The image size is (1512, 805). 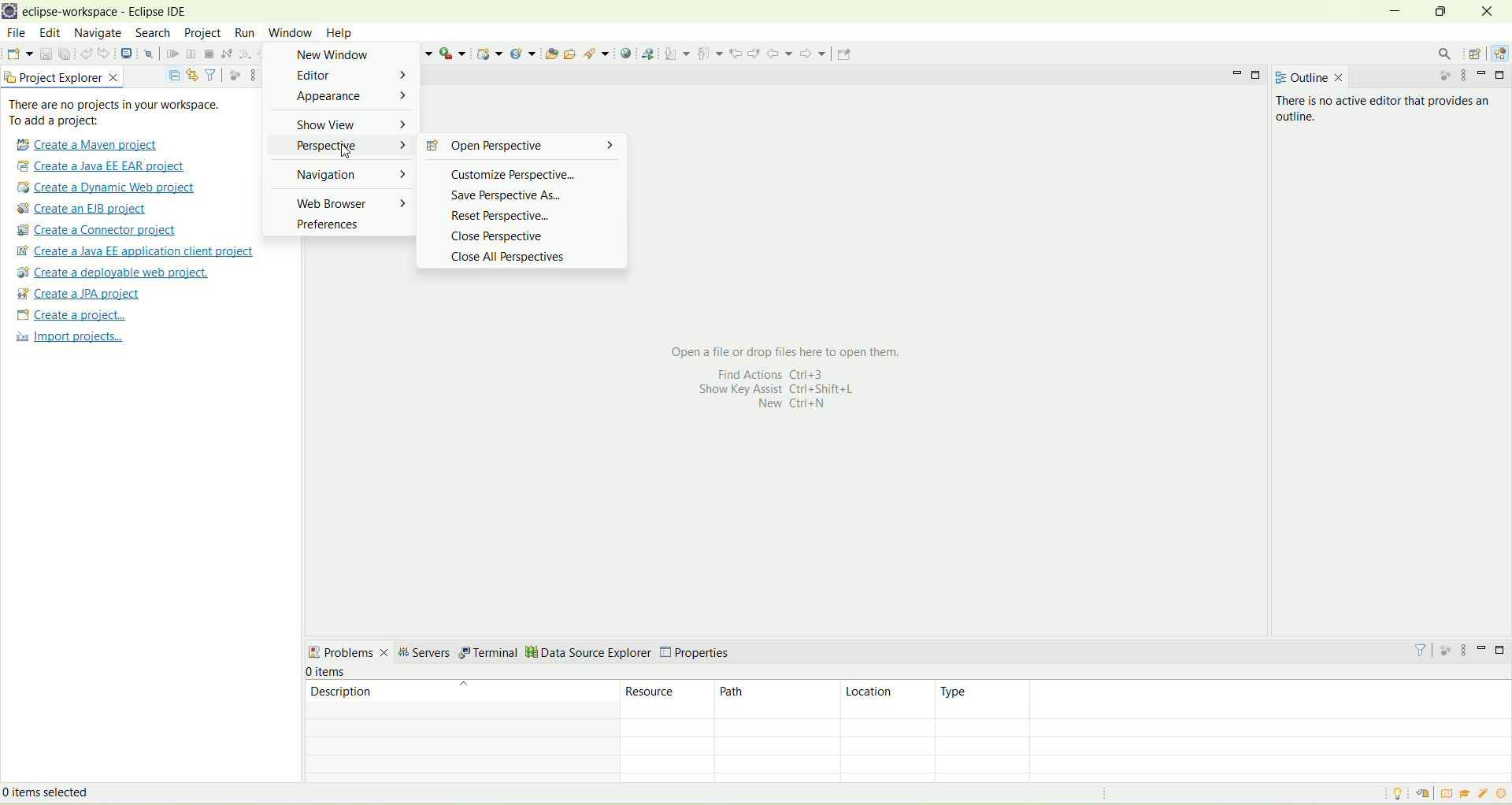 I want to click on terminal, so click(x=488, y=653).